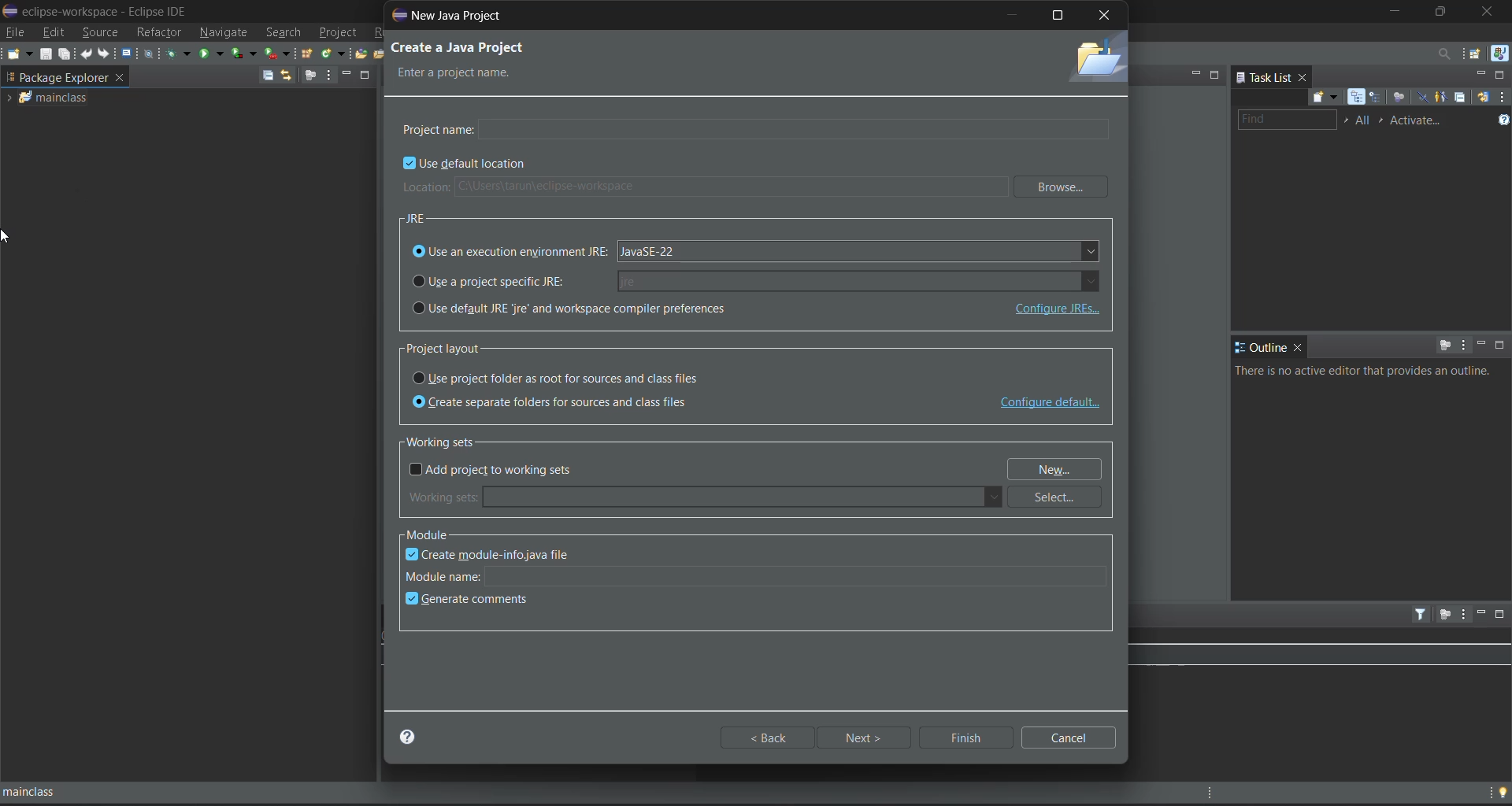  What do you see at coordinates (98, 9) in the screenshot?
I see `eclipse-workspace - Eclipse IDE` at bounding box center [98, 9].